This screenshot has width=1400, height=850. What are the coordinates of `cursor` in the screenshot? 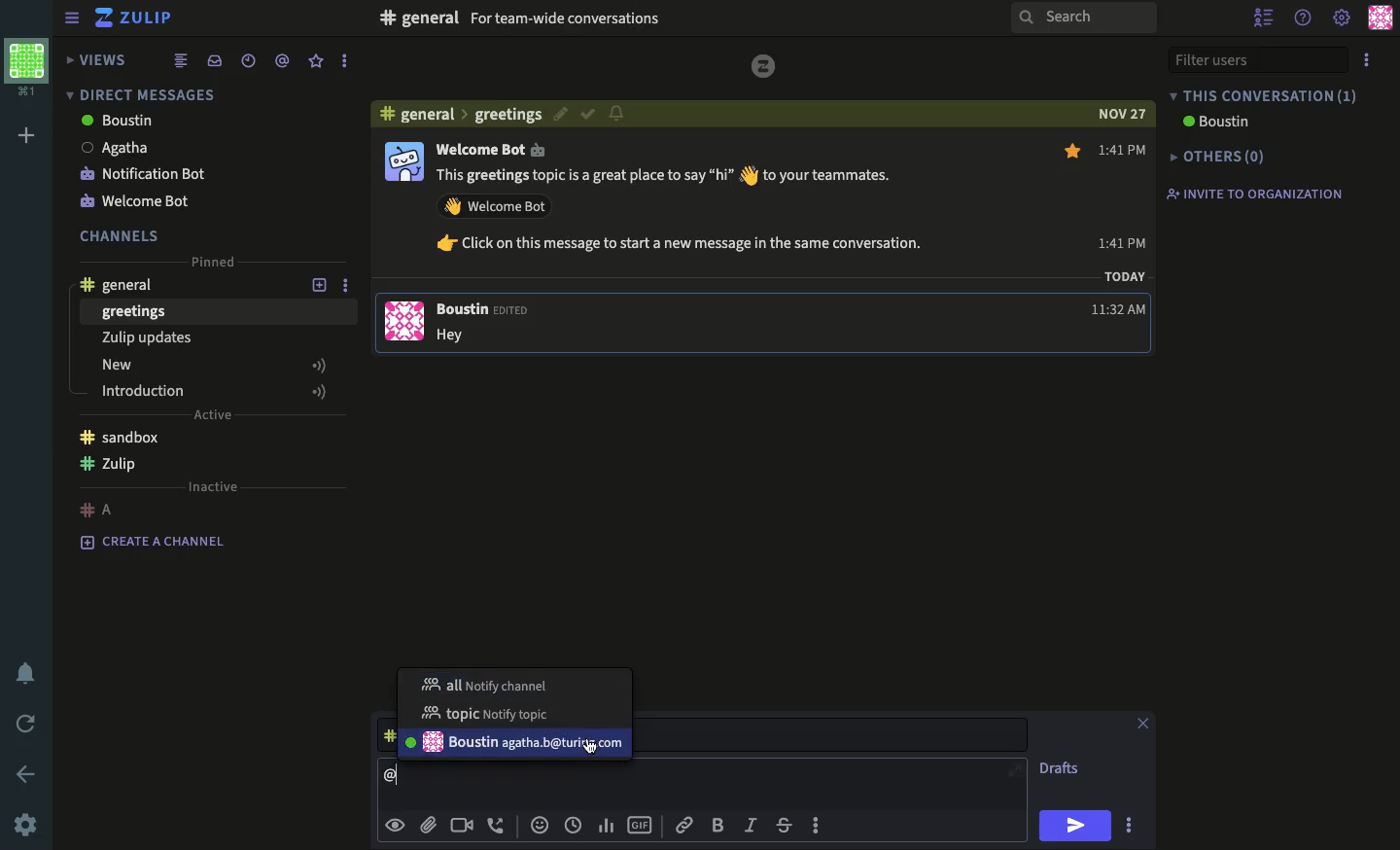 It's located at (591, 749).